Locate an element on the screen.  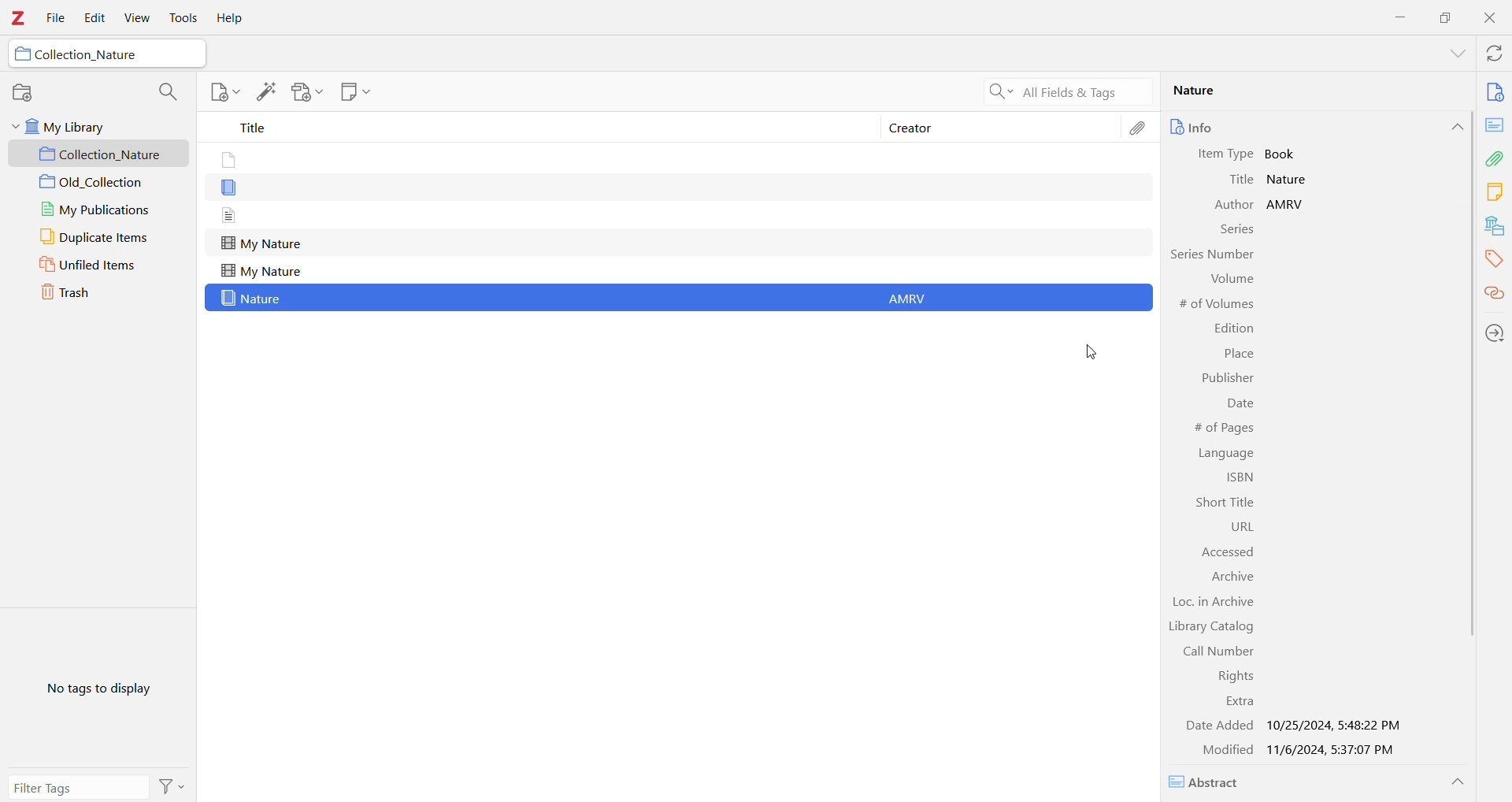
View is located at coordinates (135, 18).